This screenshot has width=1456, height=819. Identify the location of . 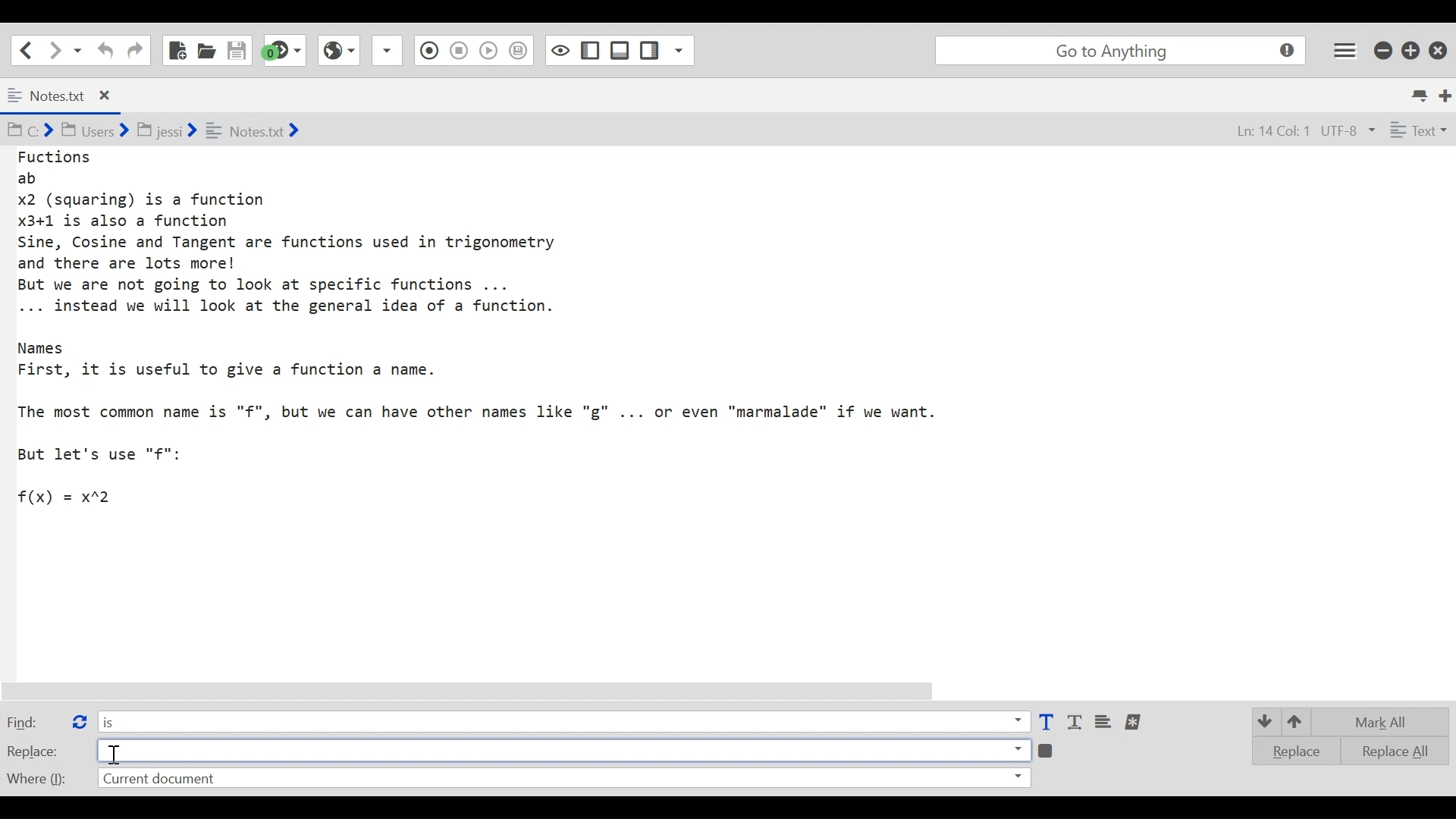
(135, 51).